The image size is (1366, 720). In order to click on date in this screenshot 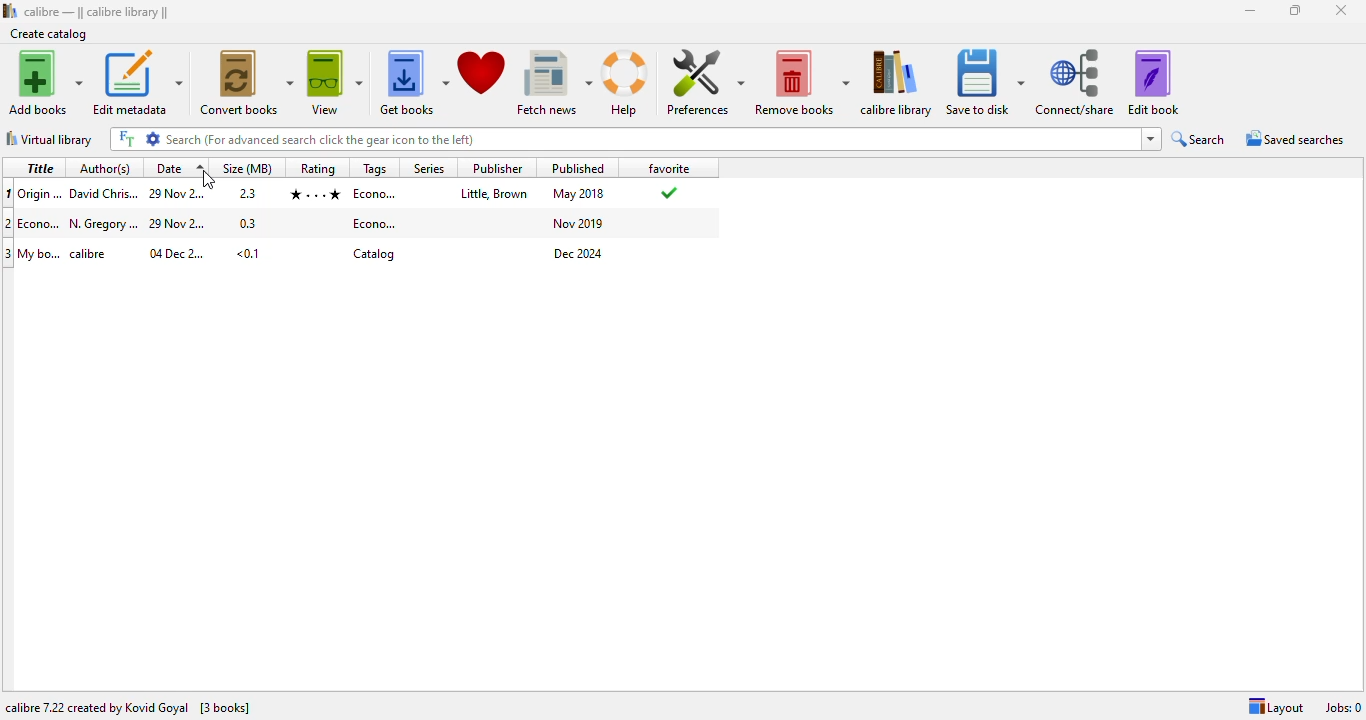, I will do `click(178, 223)`.